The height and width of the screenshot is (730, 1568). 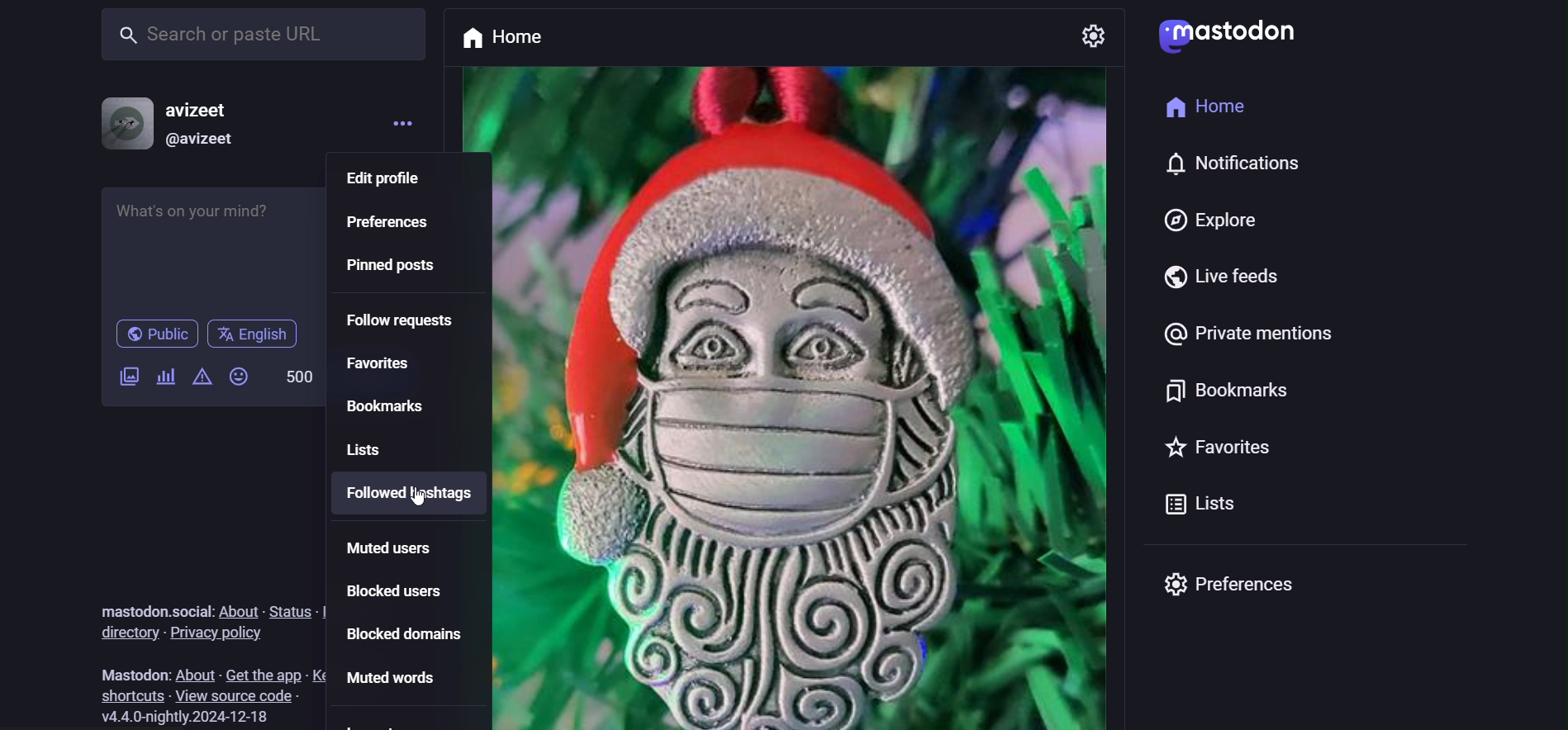 What do you see at coordinates (1223, 395) in the screenshot?
I see `bookmarks` at bounding box center [1223, 395].